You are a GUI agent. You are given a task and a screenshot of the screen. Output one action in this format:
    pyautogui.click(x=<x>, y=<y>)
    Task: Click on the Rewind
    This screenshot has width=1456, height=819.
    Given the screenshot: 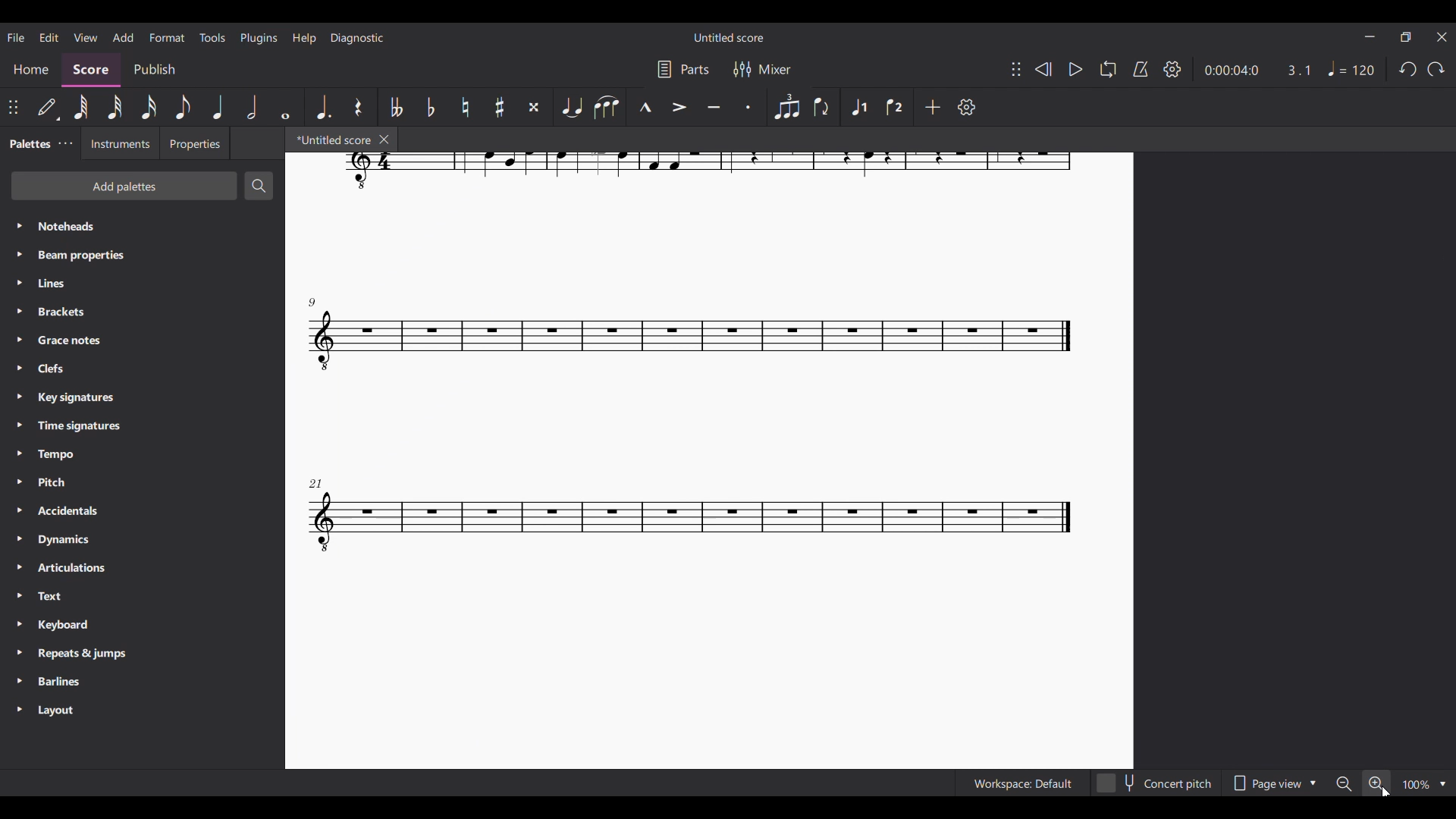 What is the action you would take?
    pyautogui.click(x=1043, y=70)
    